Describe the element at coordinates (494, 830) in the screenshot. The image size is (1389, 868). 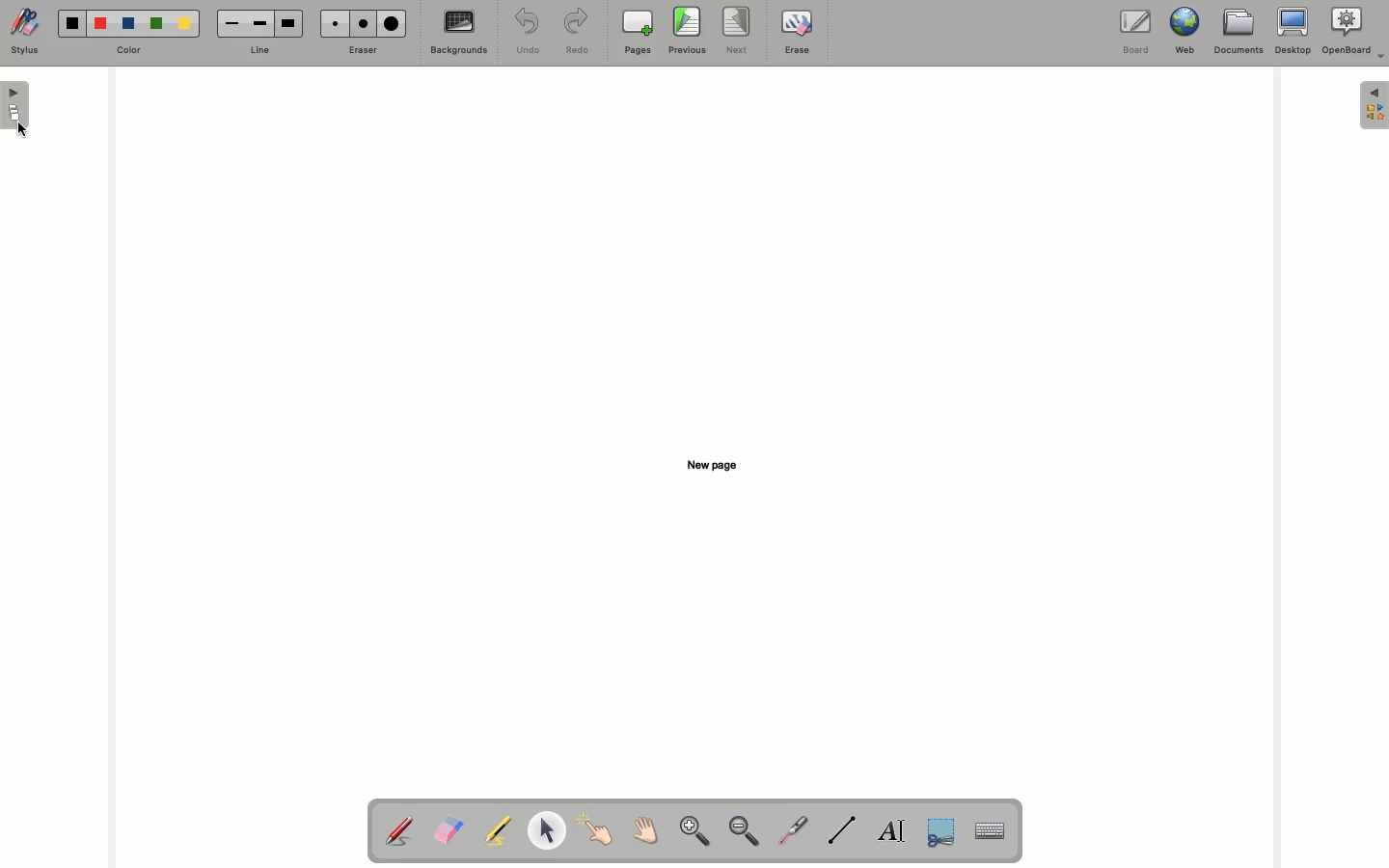
I see `Highlight` at that location.